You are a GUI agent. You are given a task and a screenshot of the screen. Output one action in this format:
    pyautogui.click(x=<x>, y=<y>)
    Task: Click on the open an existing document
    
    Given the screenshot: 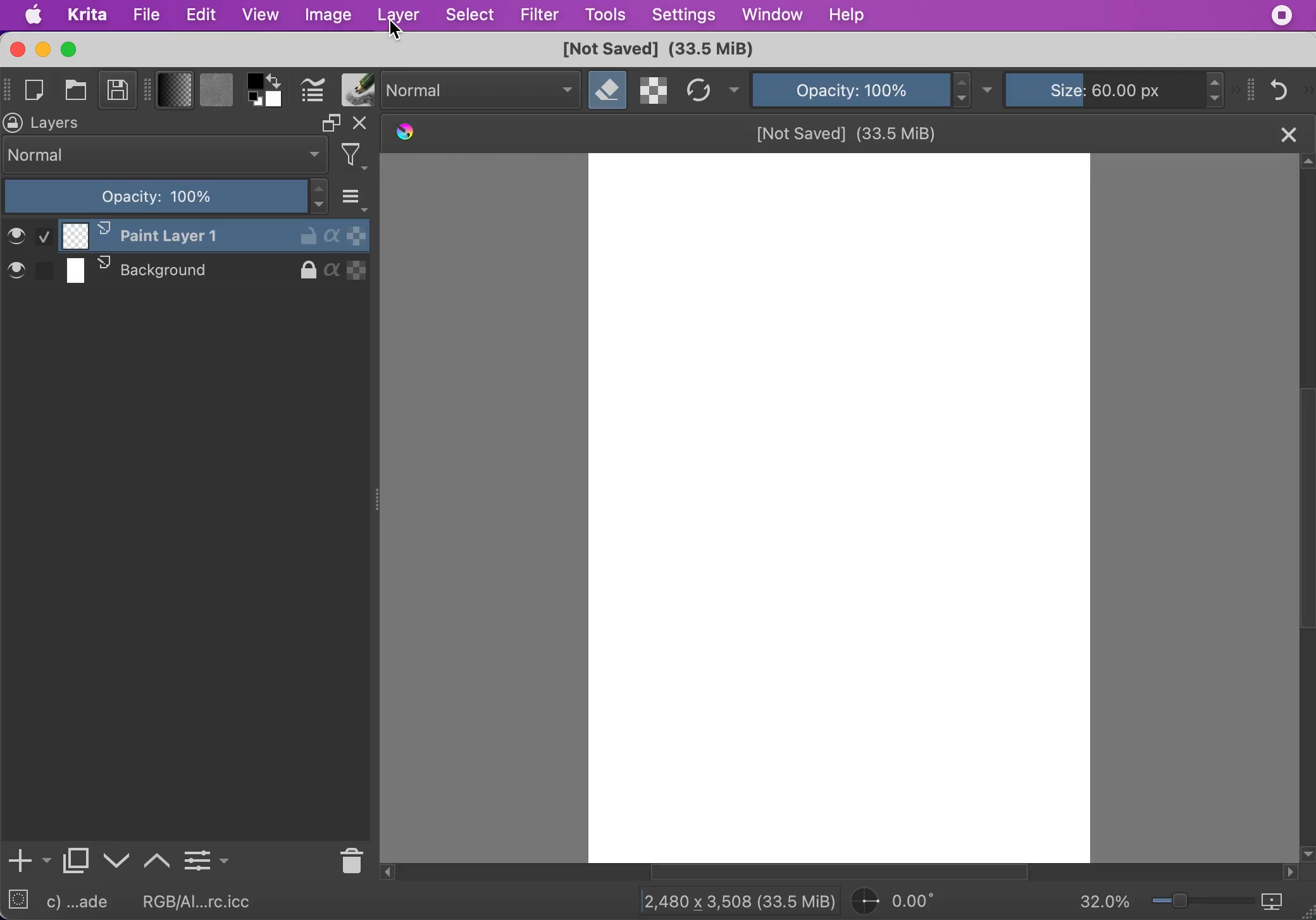 What is the action you would take?
    pyautogui.click(x=78, y=92)
    